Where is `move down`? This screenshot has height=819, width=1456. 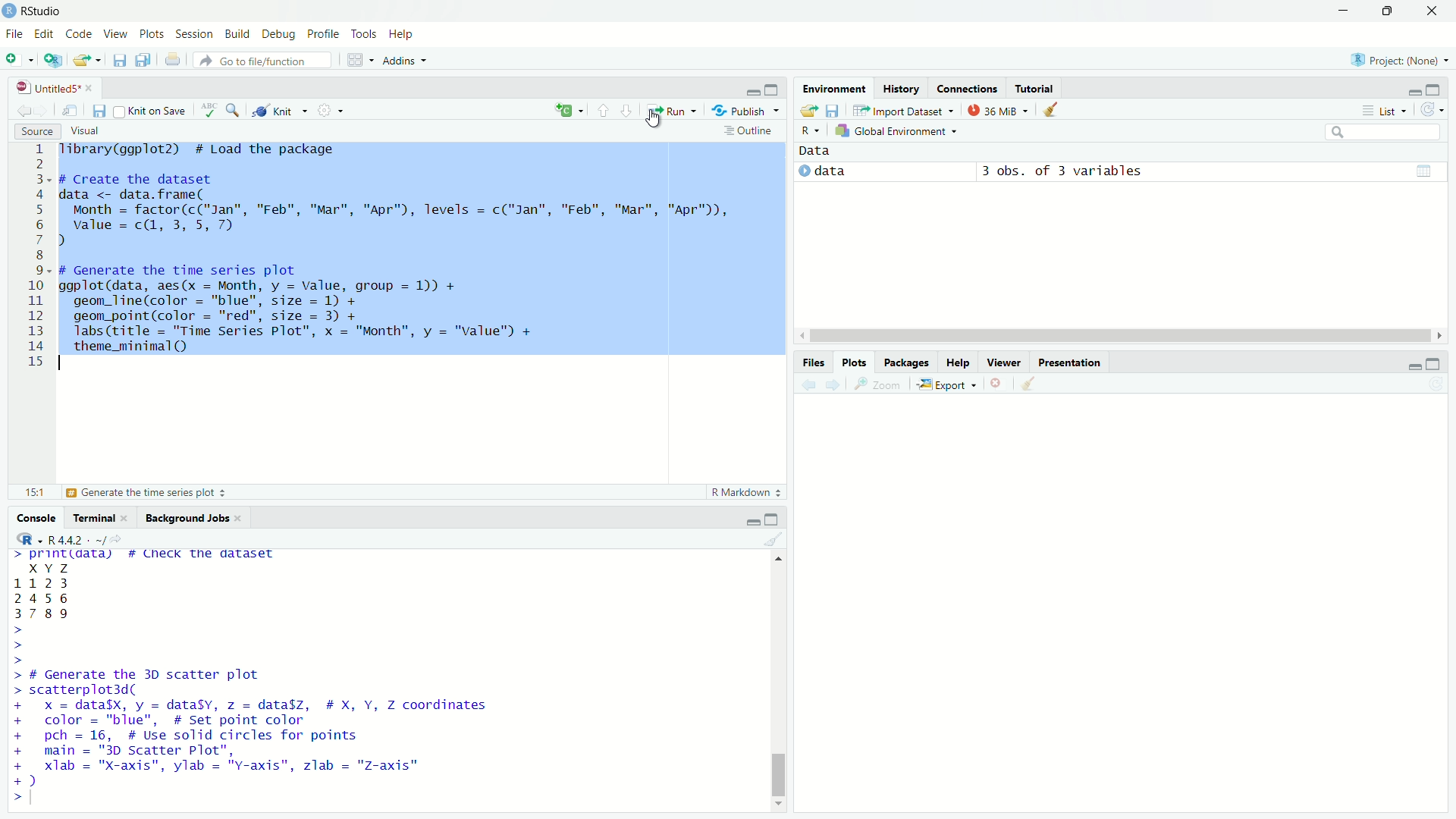
move down is located at coordinates (780, 808).